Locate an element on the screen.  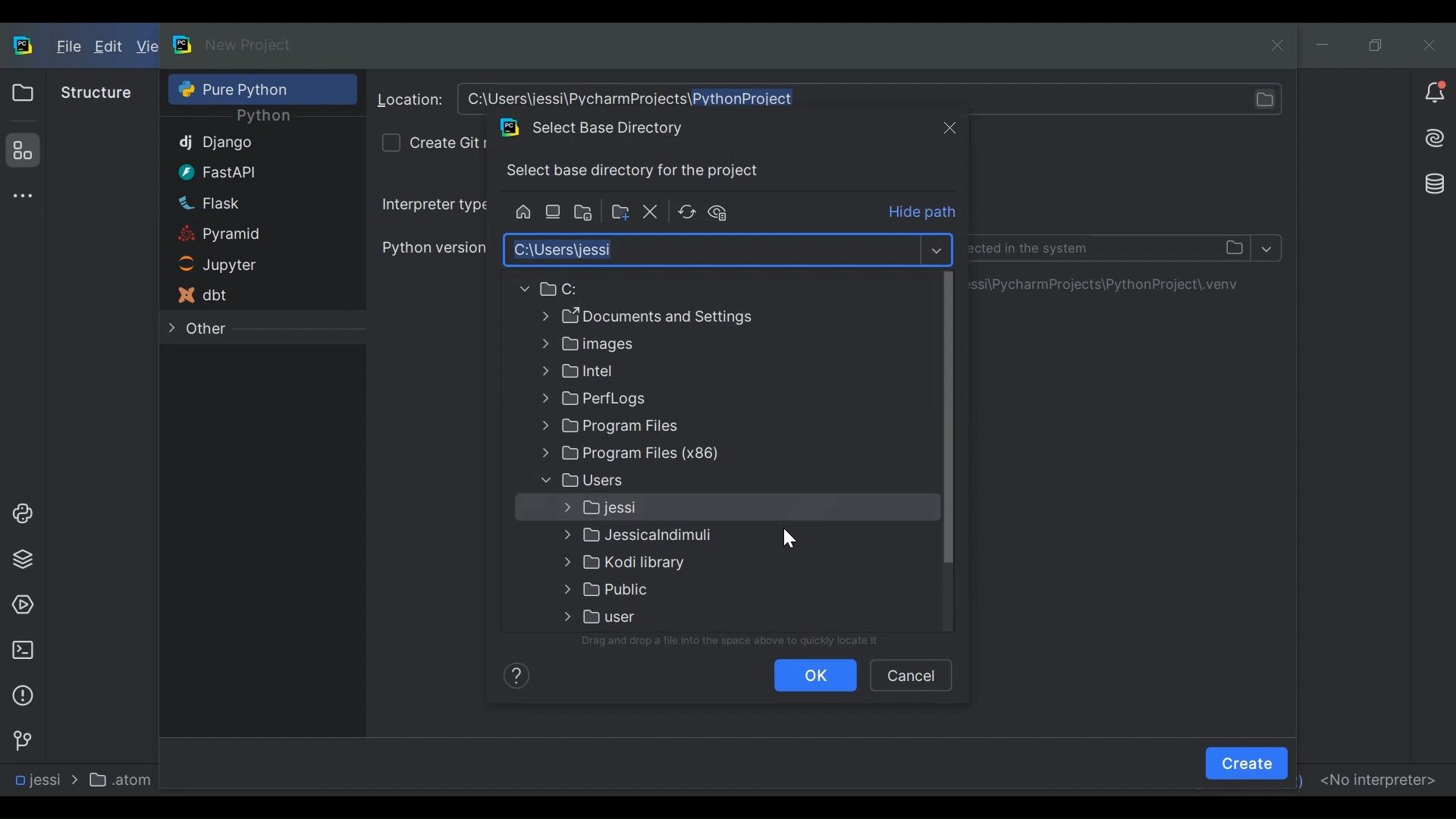
Python is located at coordinates (263, 117).